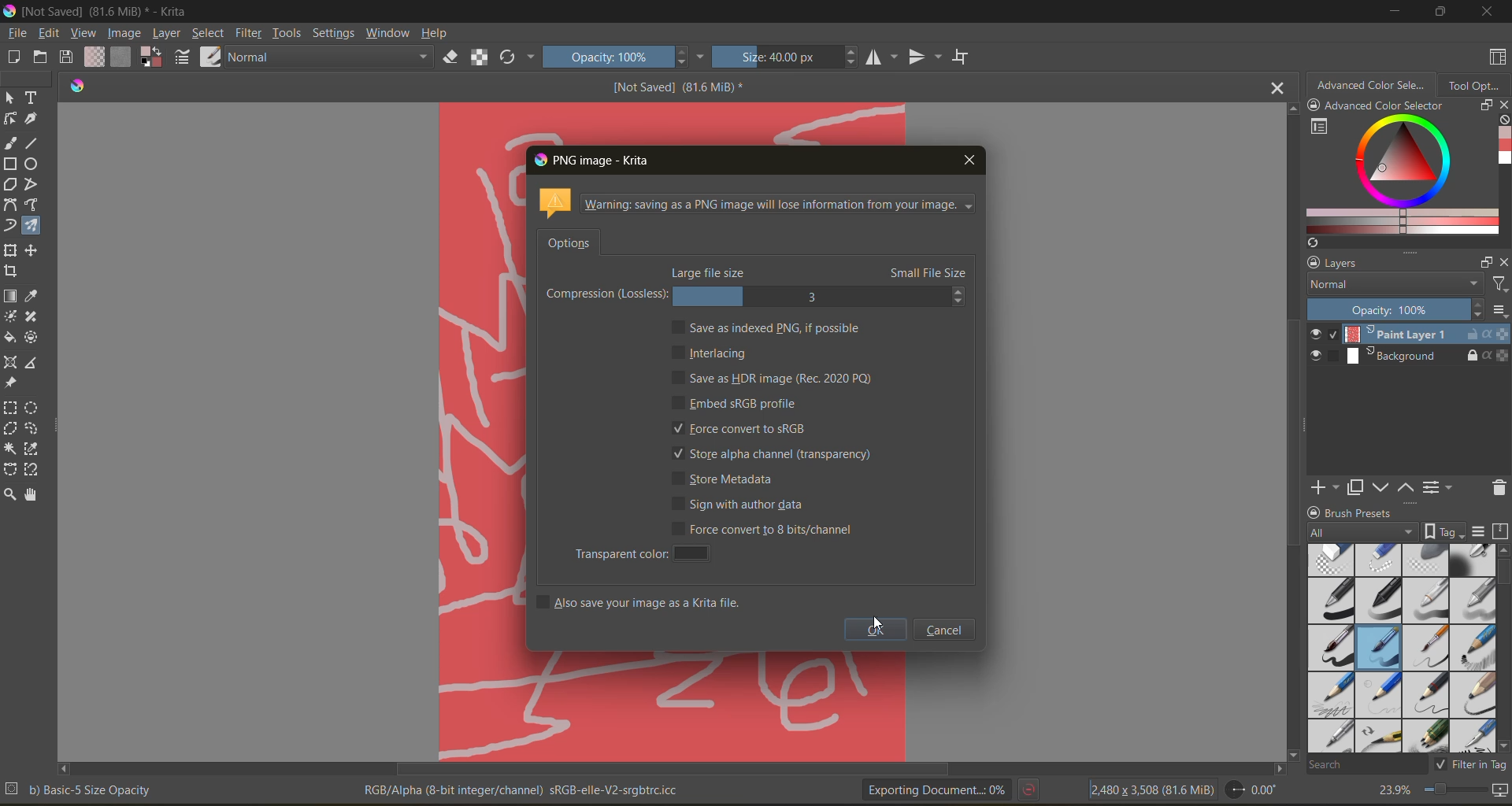 The width and height of the screenshot is (1512, 806). What do you see at coordinates (725, 476) in the screenshot?
I see `store metadata` at bounding box center [725, 476].